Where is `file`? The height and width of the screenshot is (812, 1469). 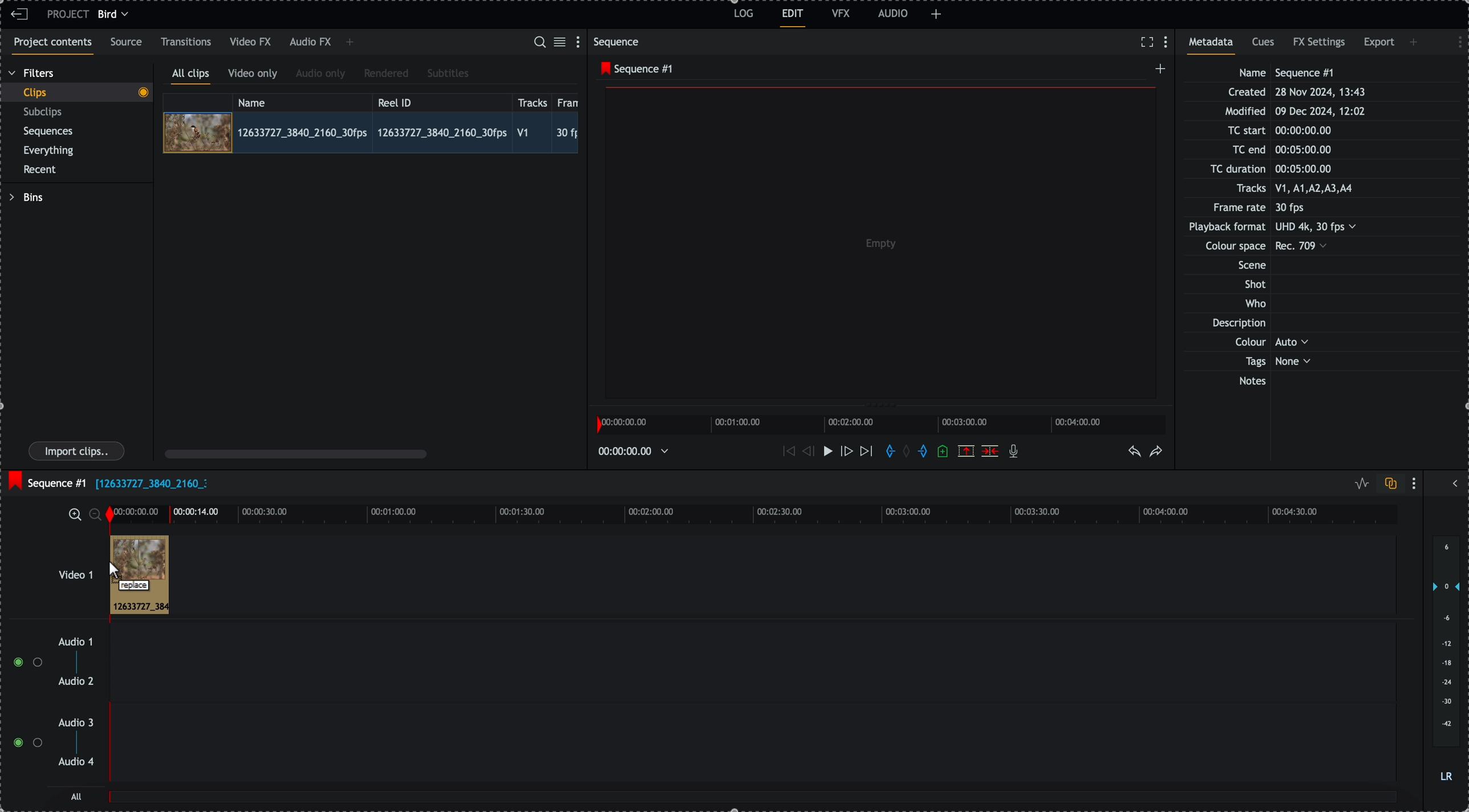
file is located at coordinates (151, 485).